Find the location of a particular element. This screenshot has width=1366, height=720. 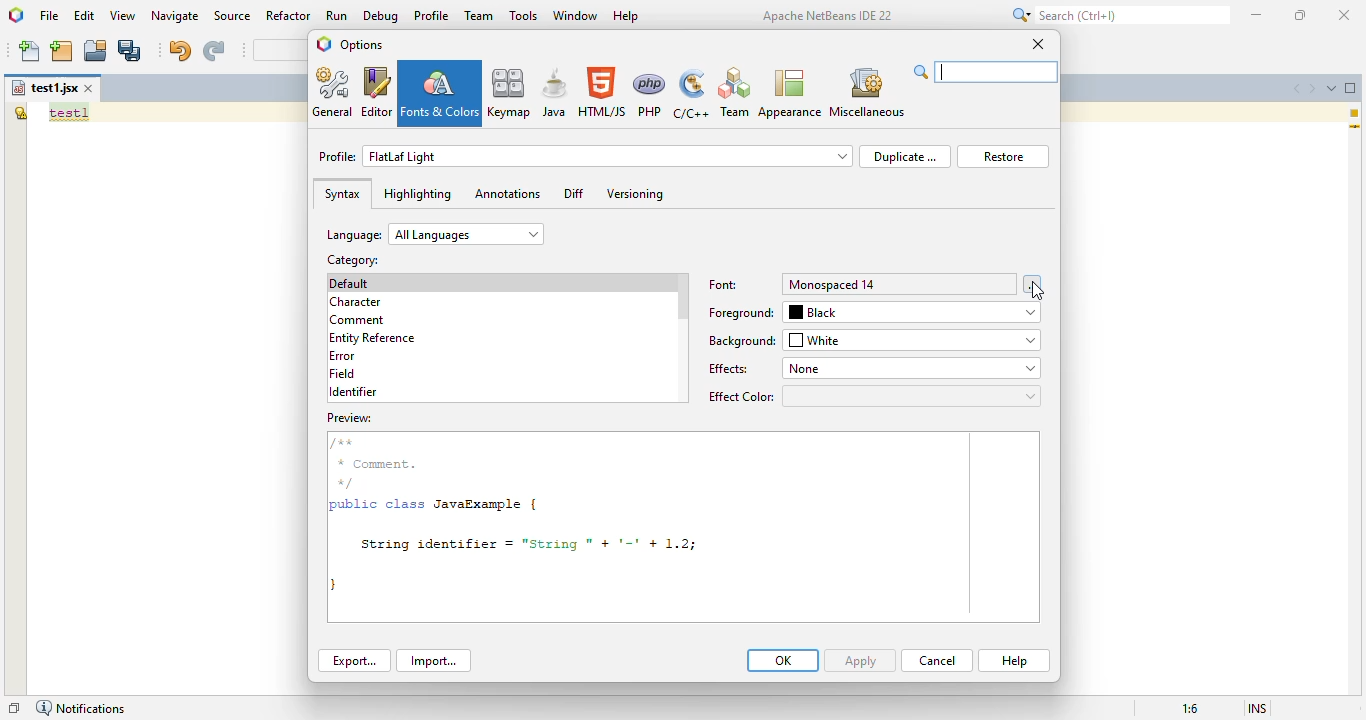

preview:  is located at coordinates (351, 418).